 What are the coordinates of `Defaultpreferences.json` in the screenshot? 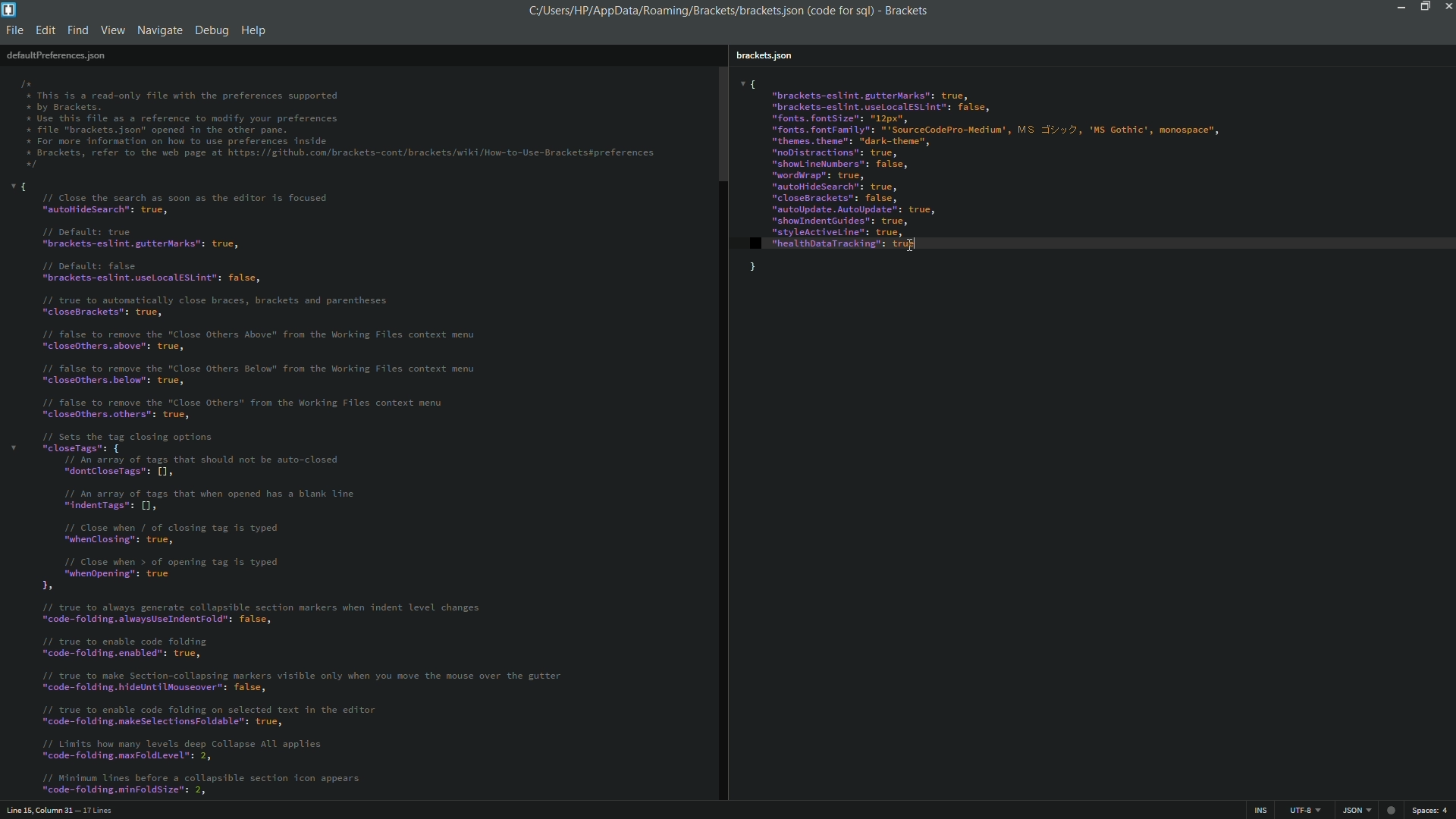 It's located at (56, 55).